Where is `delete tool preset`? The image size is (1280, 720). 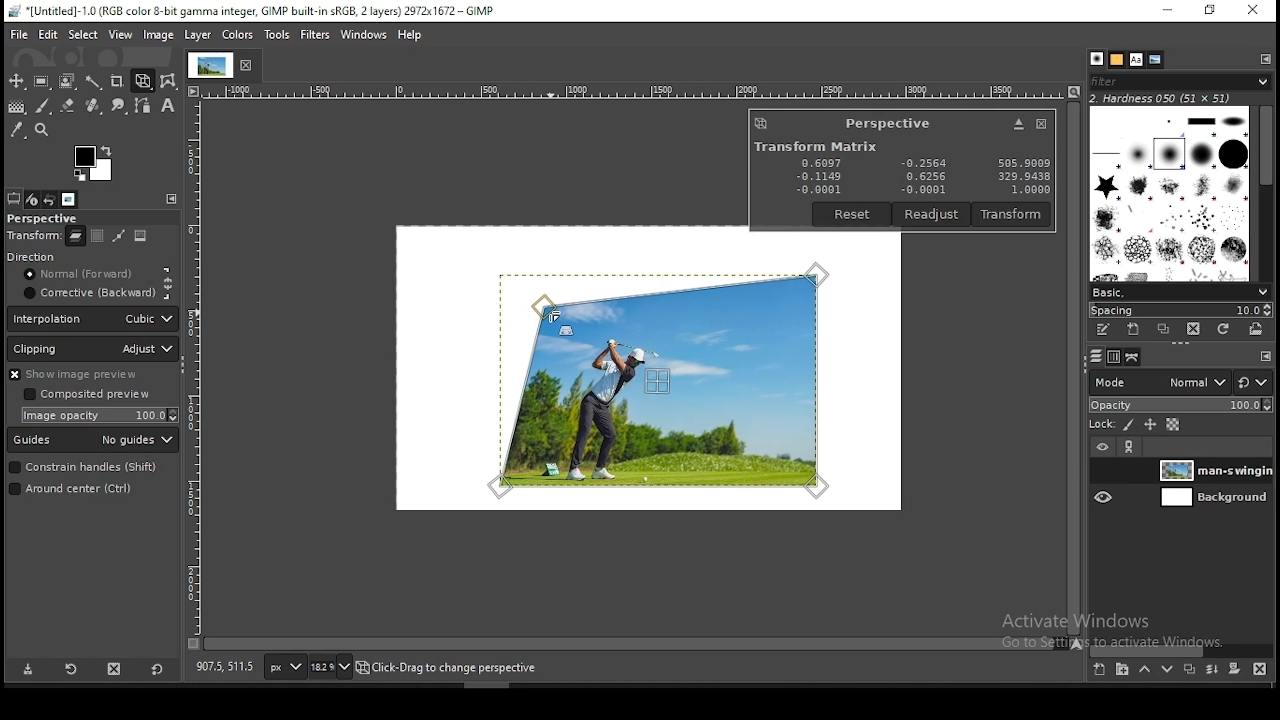
delete tool preset is located at coordinates (116, 668).